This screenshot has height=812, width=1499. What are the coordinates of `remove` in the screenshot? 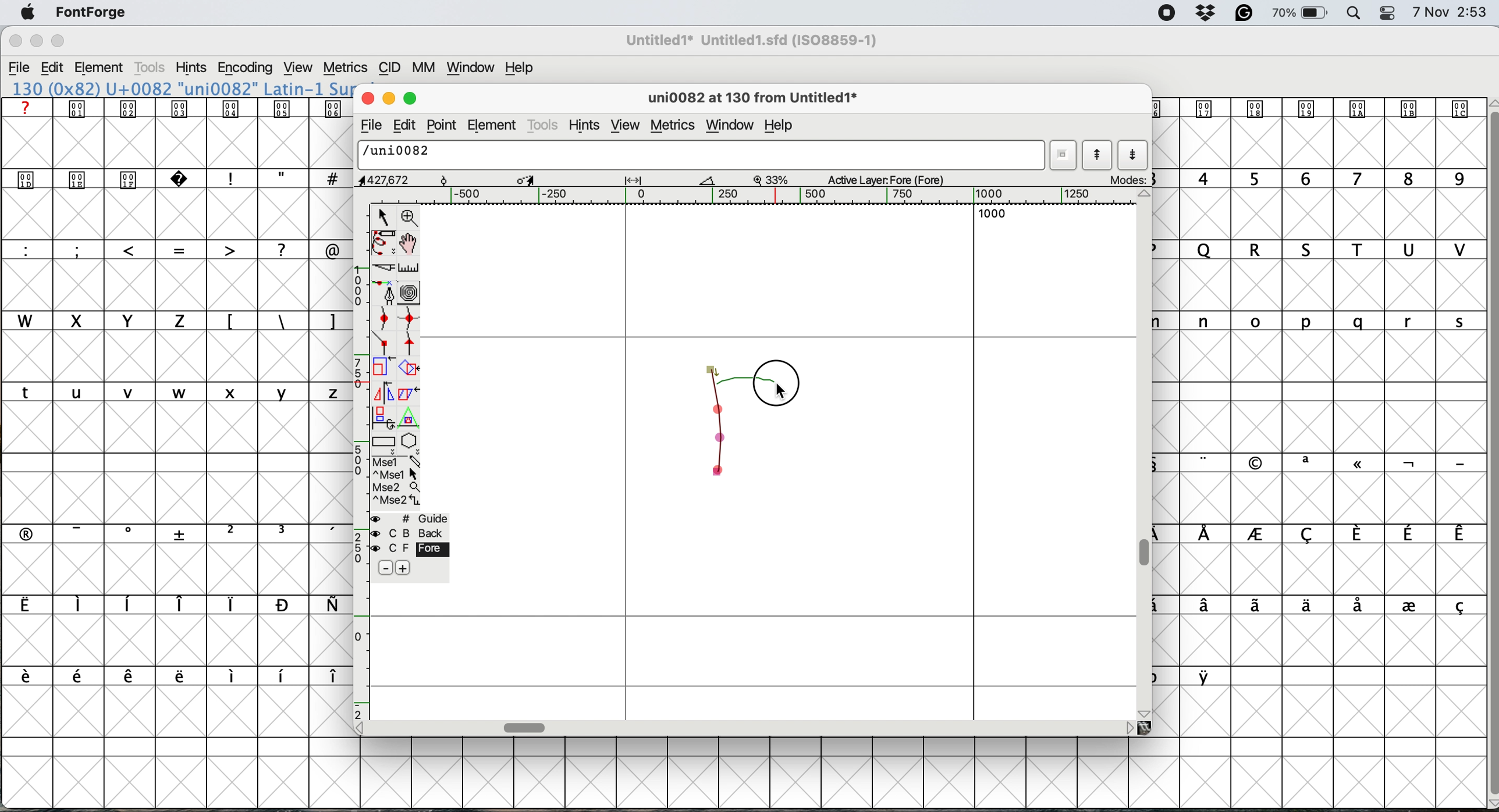 It's located at (382, 568).